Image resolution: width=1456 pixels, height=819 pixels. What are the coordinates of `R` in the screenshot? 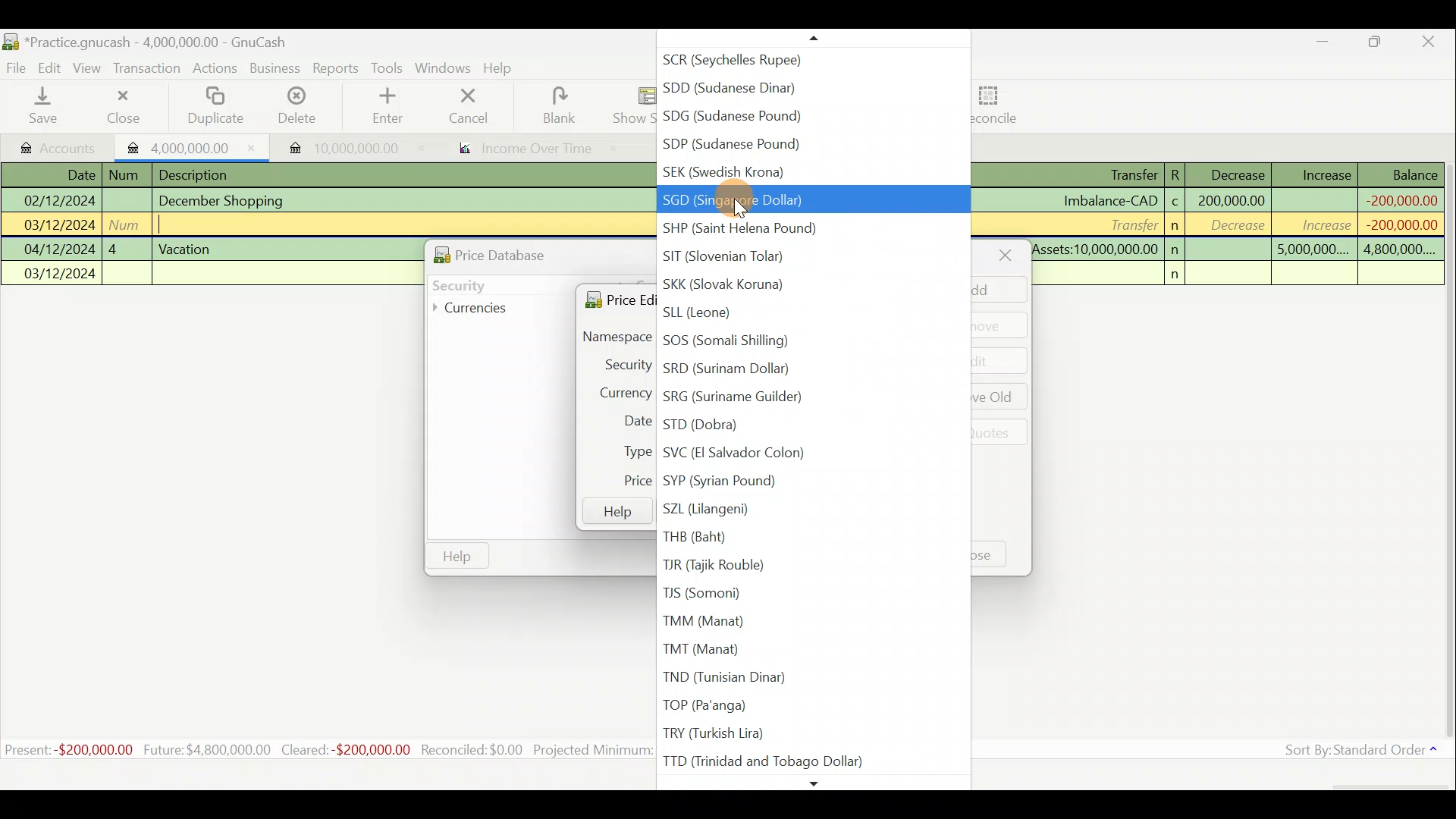 It's located at (1180, 174).